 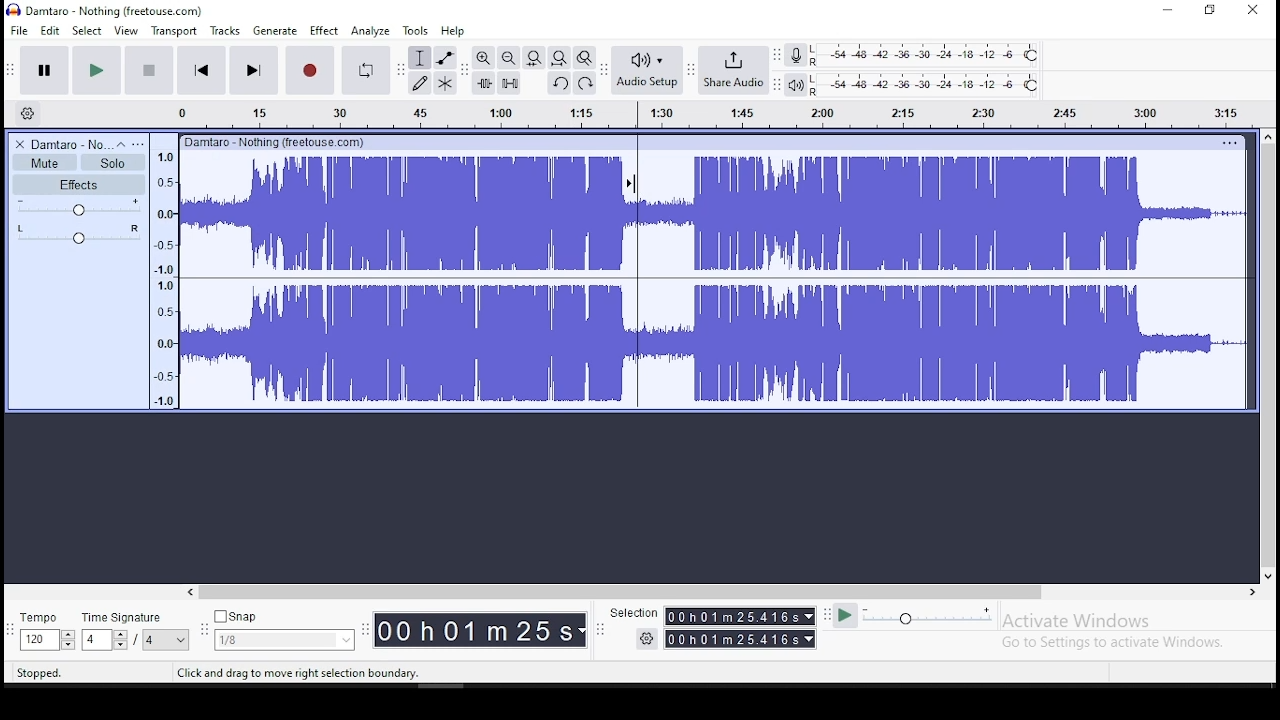 What do you see at coordinates (445, 57) in the screenshot?
I see `envelope tool` at bounding box center [445, 57].